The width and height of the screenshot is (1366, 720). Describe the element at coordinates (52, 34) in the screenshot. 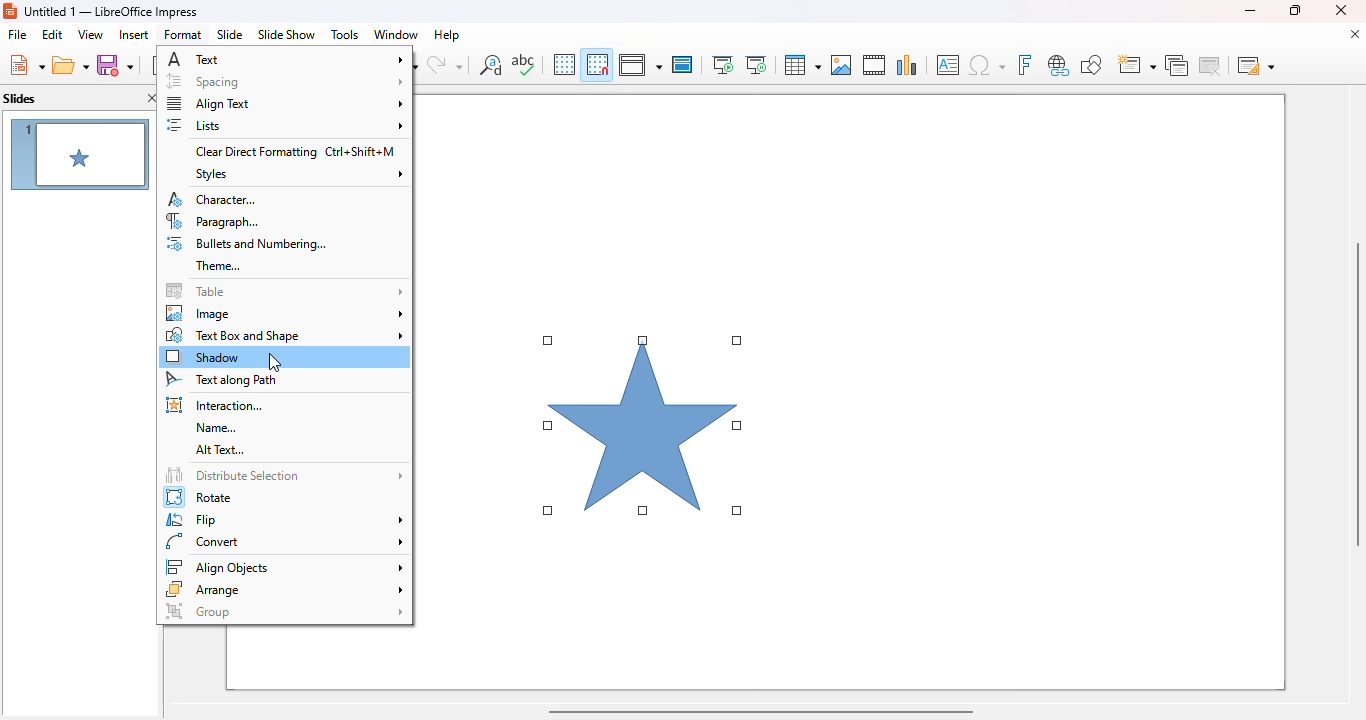

I see `edit` at that location.